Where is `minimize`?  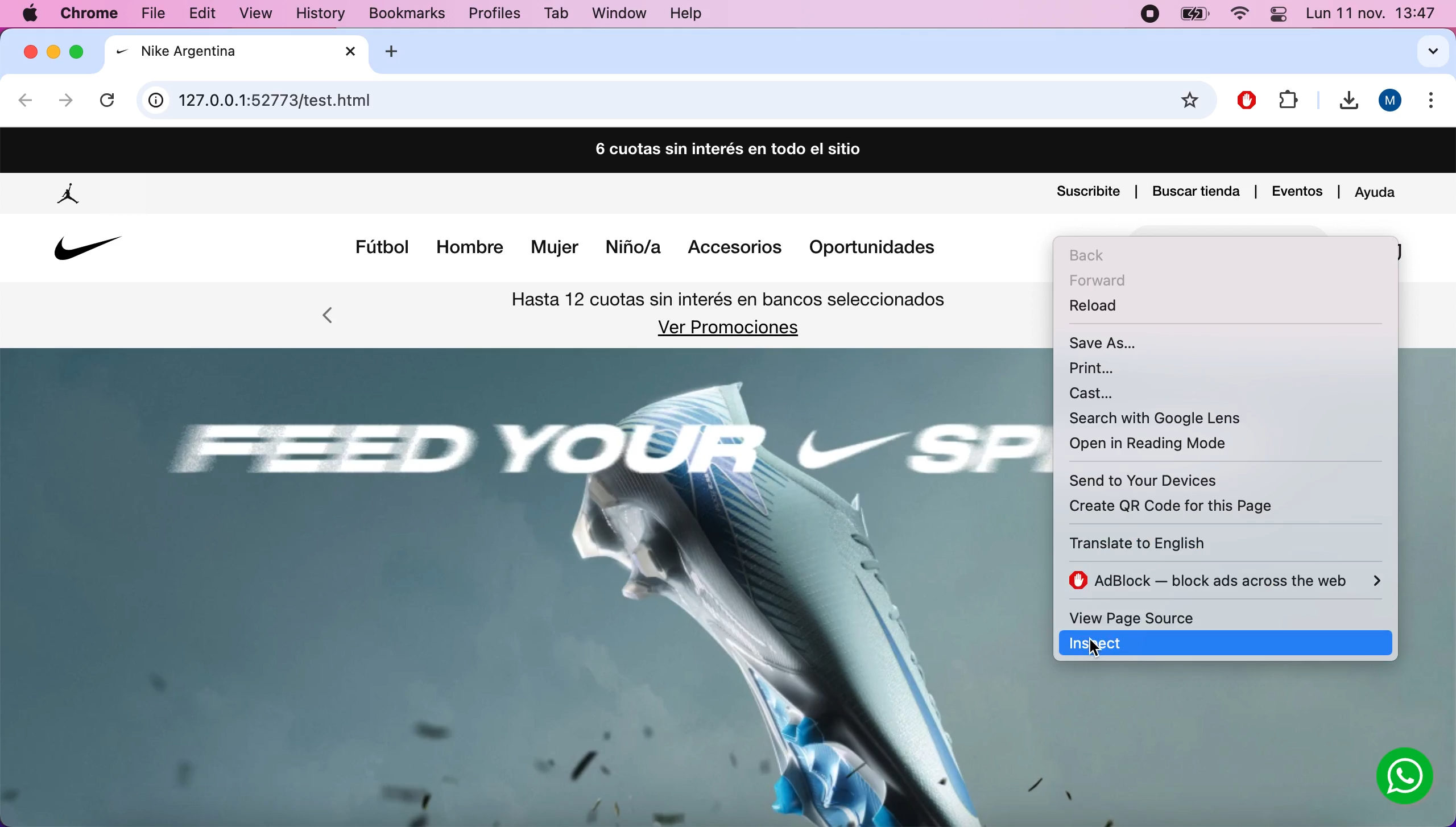
minimize is located at coordinates (55, 53).